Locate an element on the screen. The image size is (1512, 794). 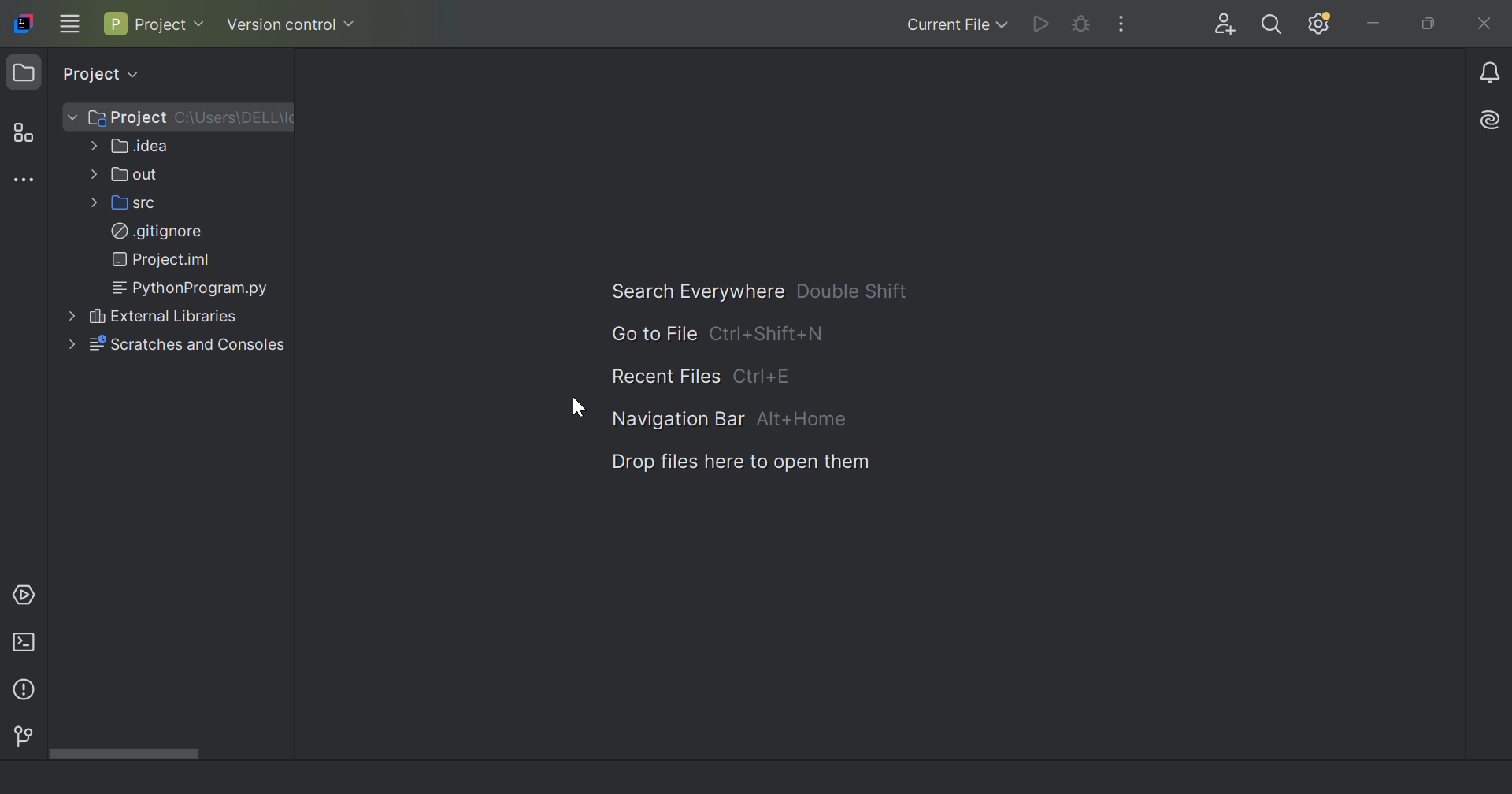
Main menu is located at coordinates (70, 23).